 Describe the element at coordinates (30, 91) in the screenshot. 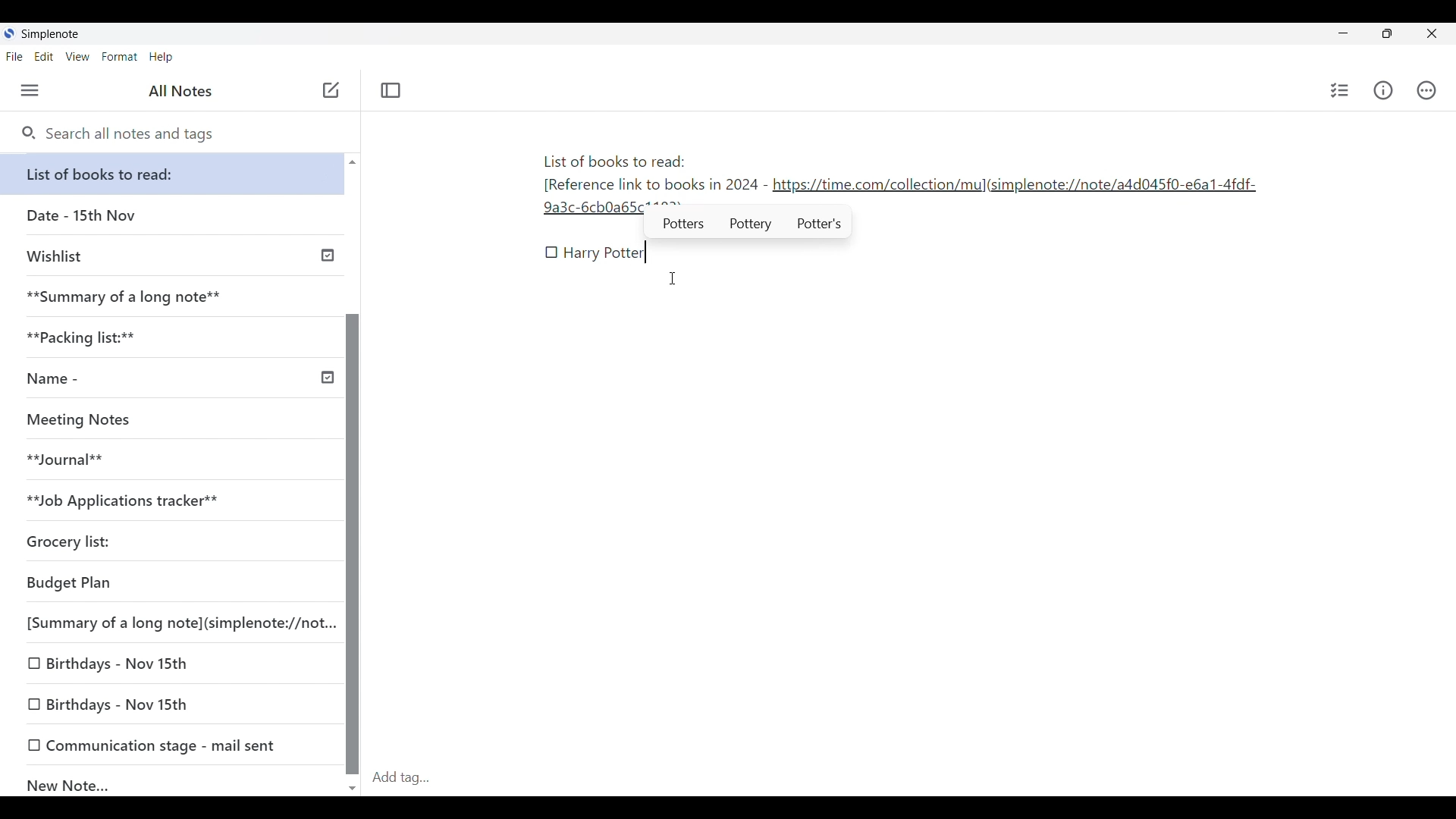

I see `Menu` at that location.